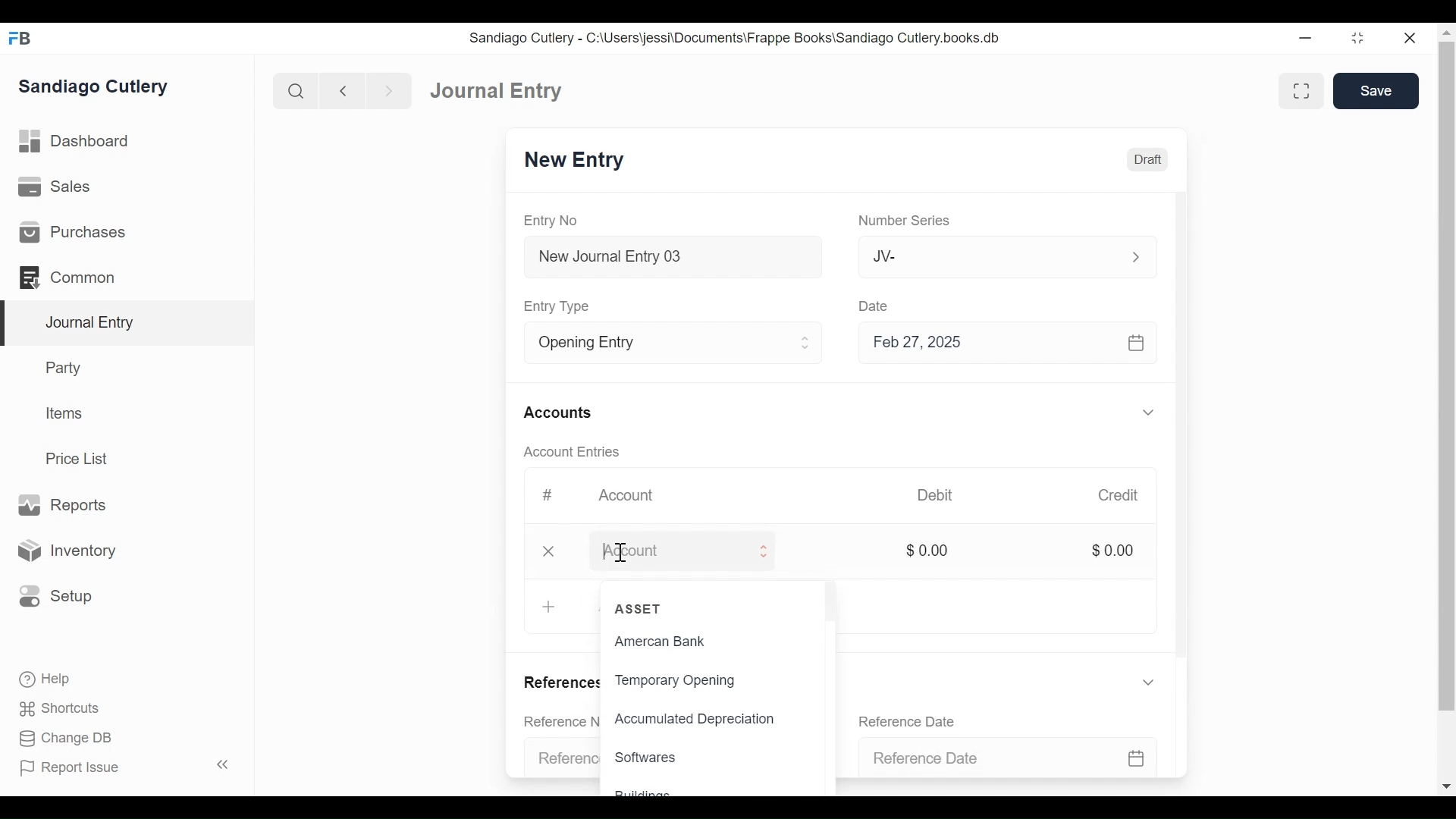 This screenshot has height=819, width=1456. What do you see at coordinates (61, 711) in the screenshot?
I see `Shortcuts` at bounding box center [61, 711].